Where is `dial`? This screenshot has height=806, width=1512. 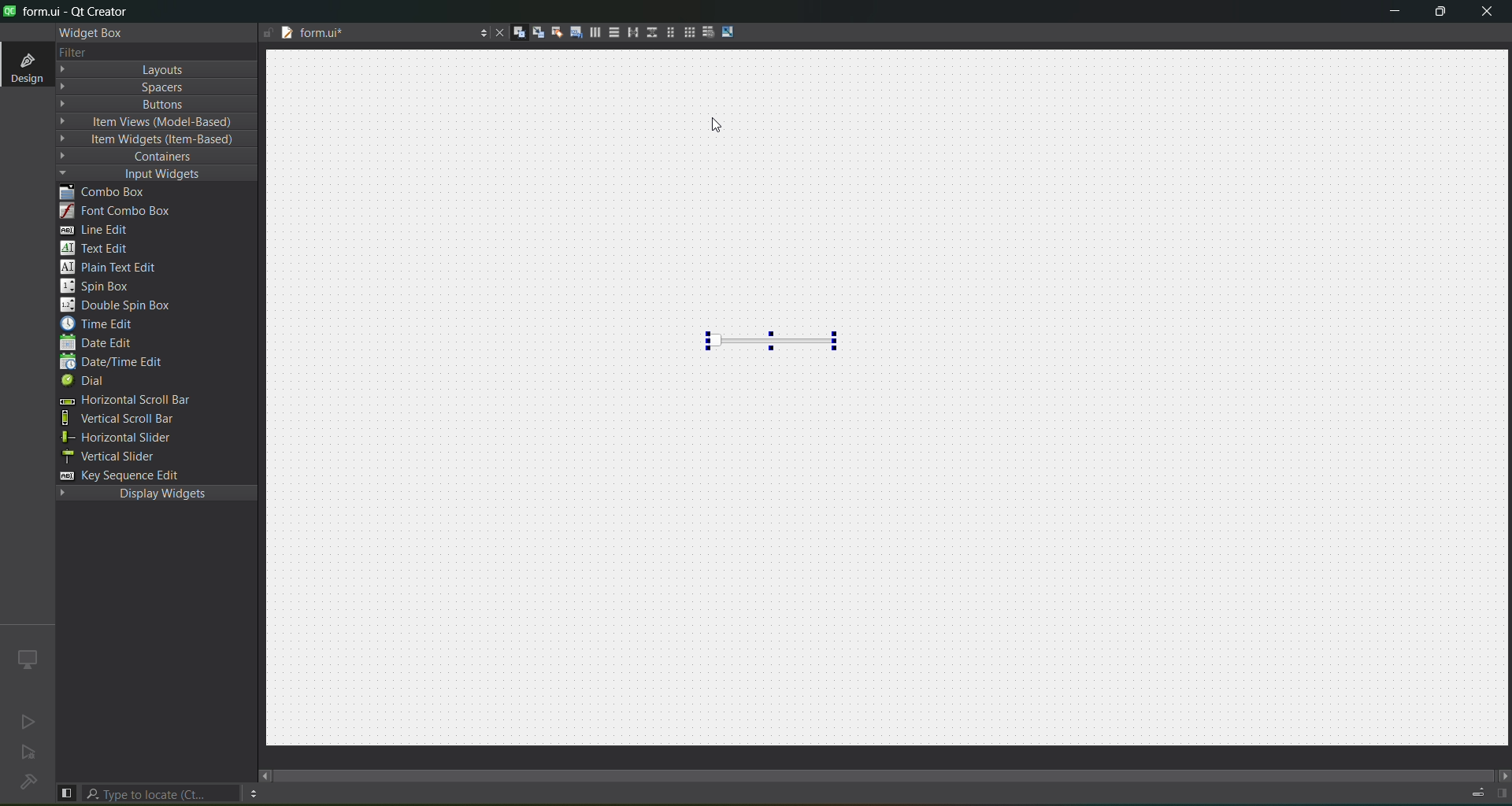
dial is located at coordinates (87, 381).